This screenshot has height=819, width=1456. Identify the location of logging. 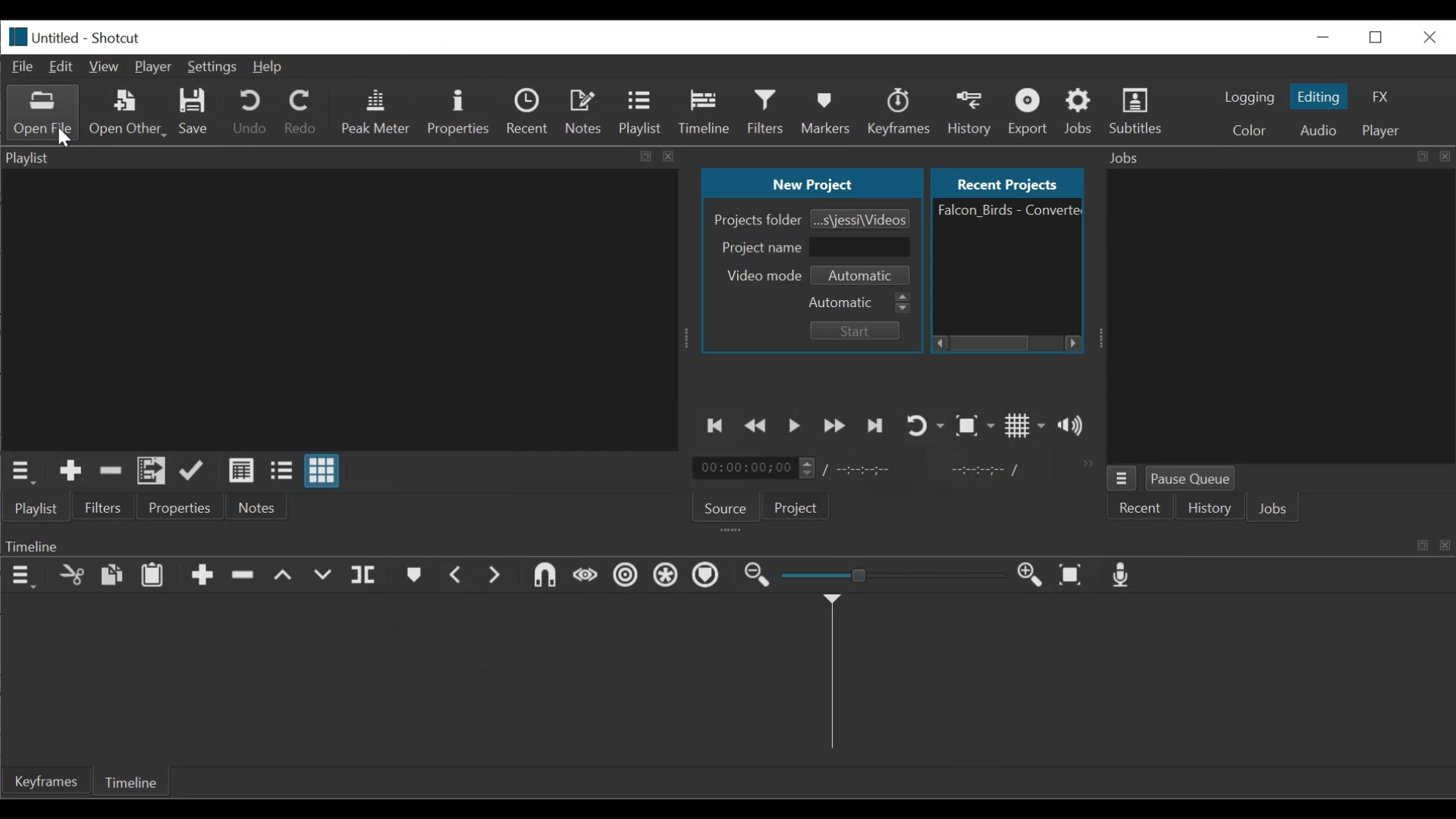
(1247, 99).